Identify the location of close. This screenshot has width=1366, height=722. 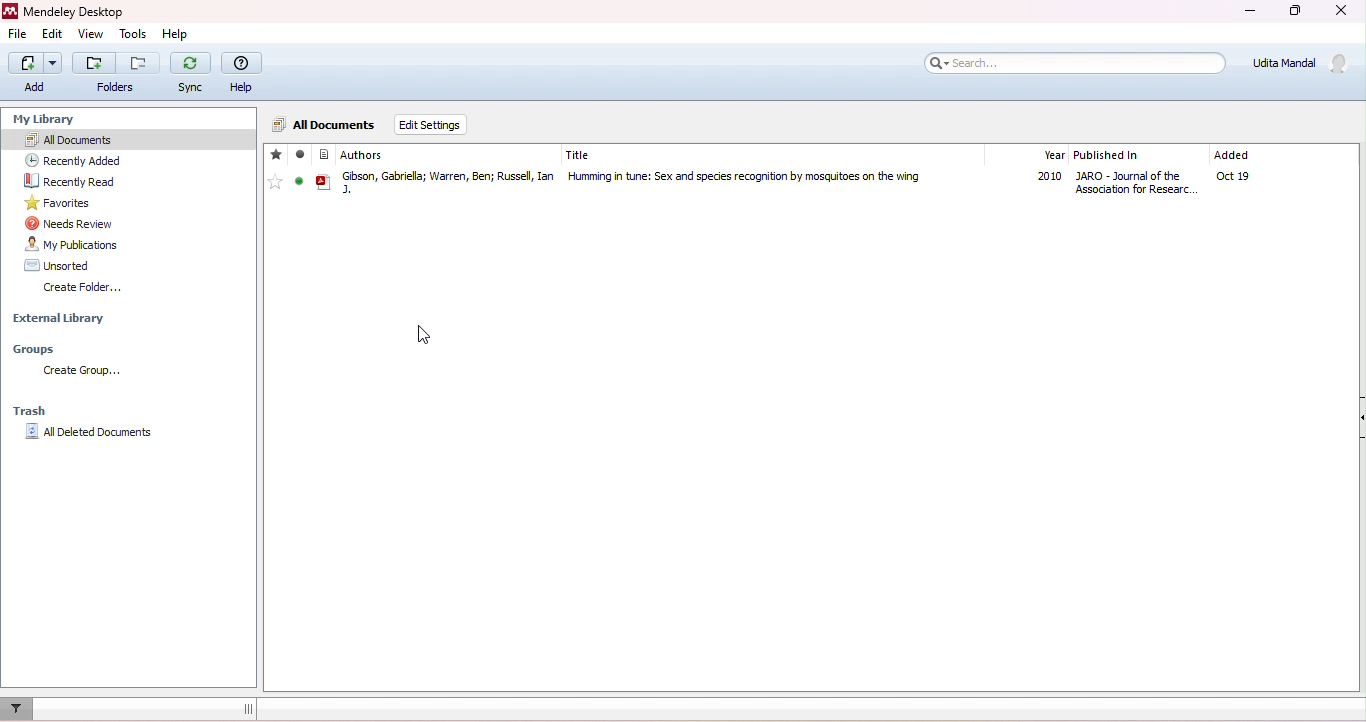
(1339, 11).